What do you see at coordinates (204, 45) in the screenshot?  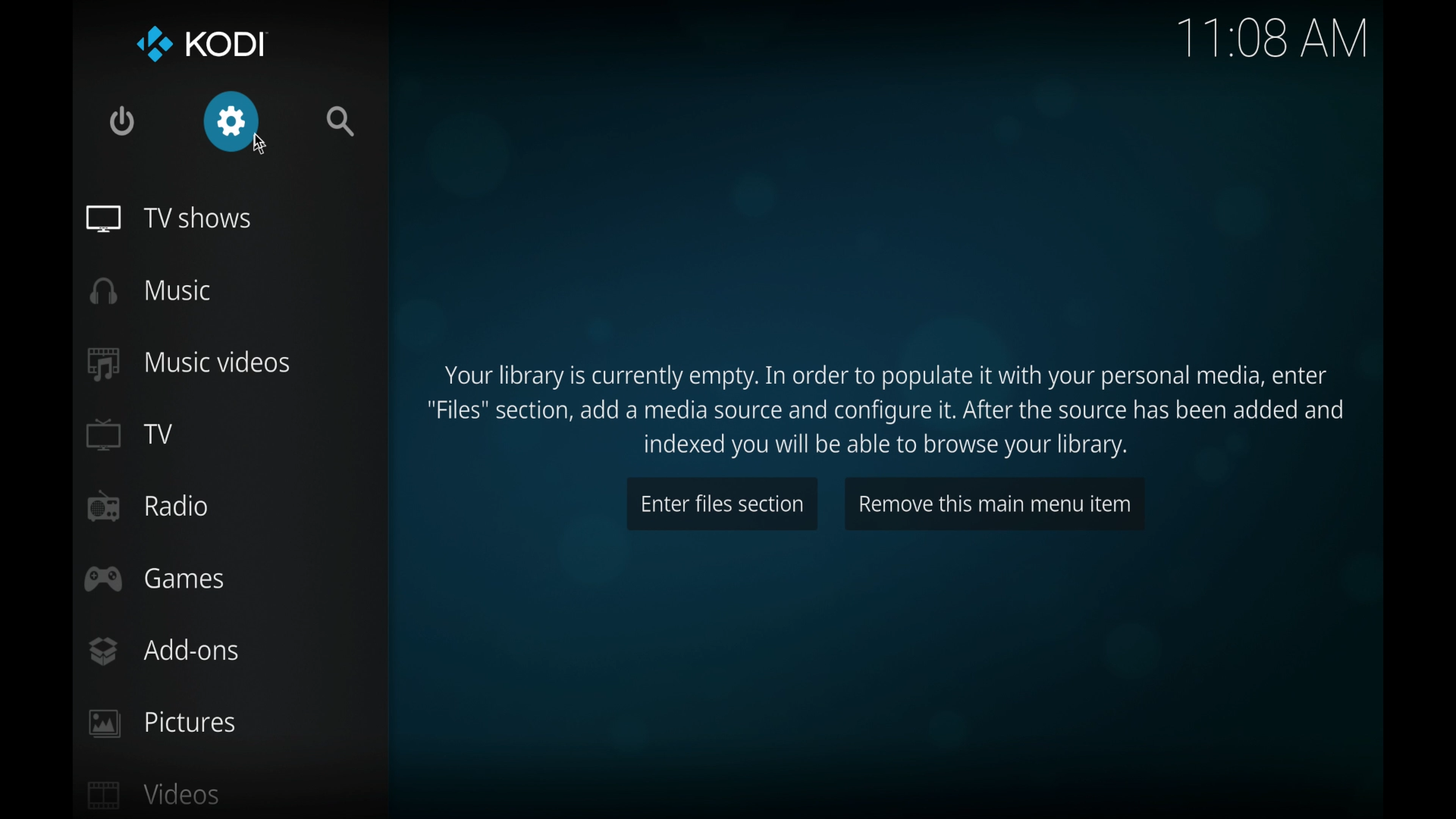 I see `kodi` at bounding box center [204, 45].